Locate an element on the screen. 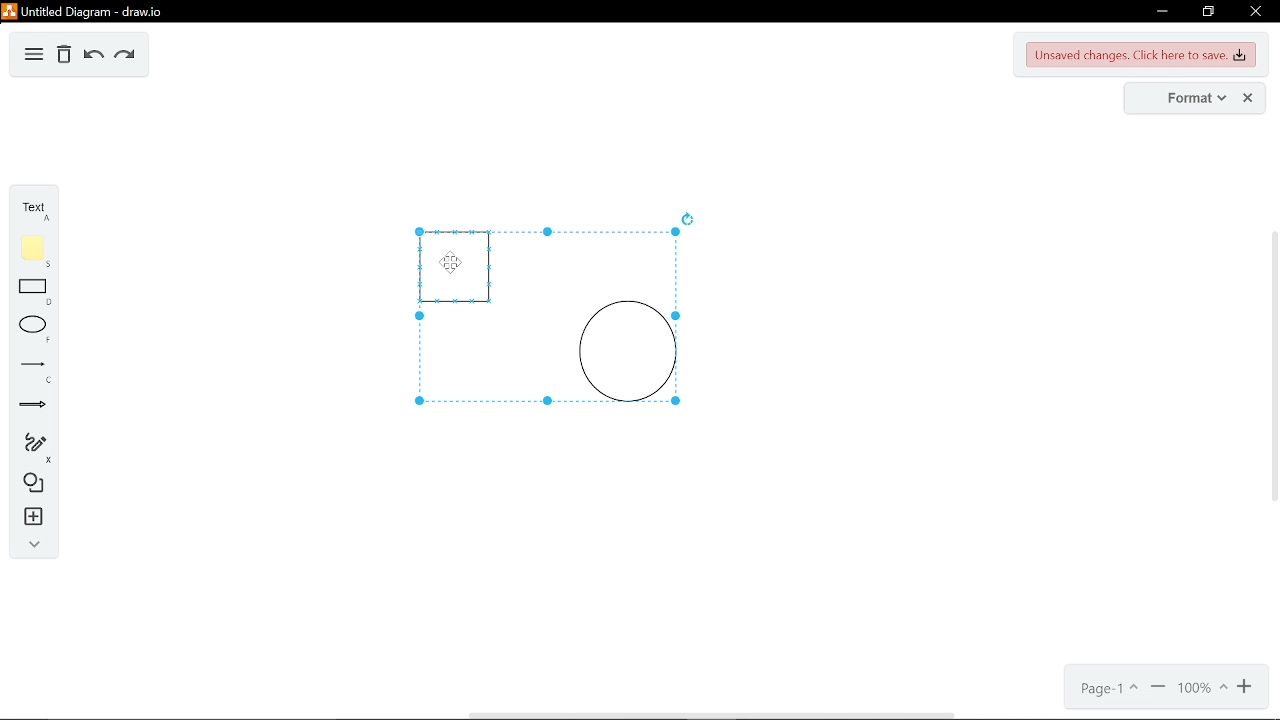 This screenshot has width=1280, height=720. close format is located at coordinates (1249, 98).